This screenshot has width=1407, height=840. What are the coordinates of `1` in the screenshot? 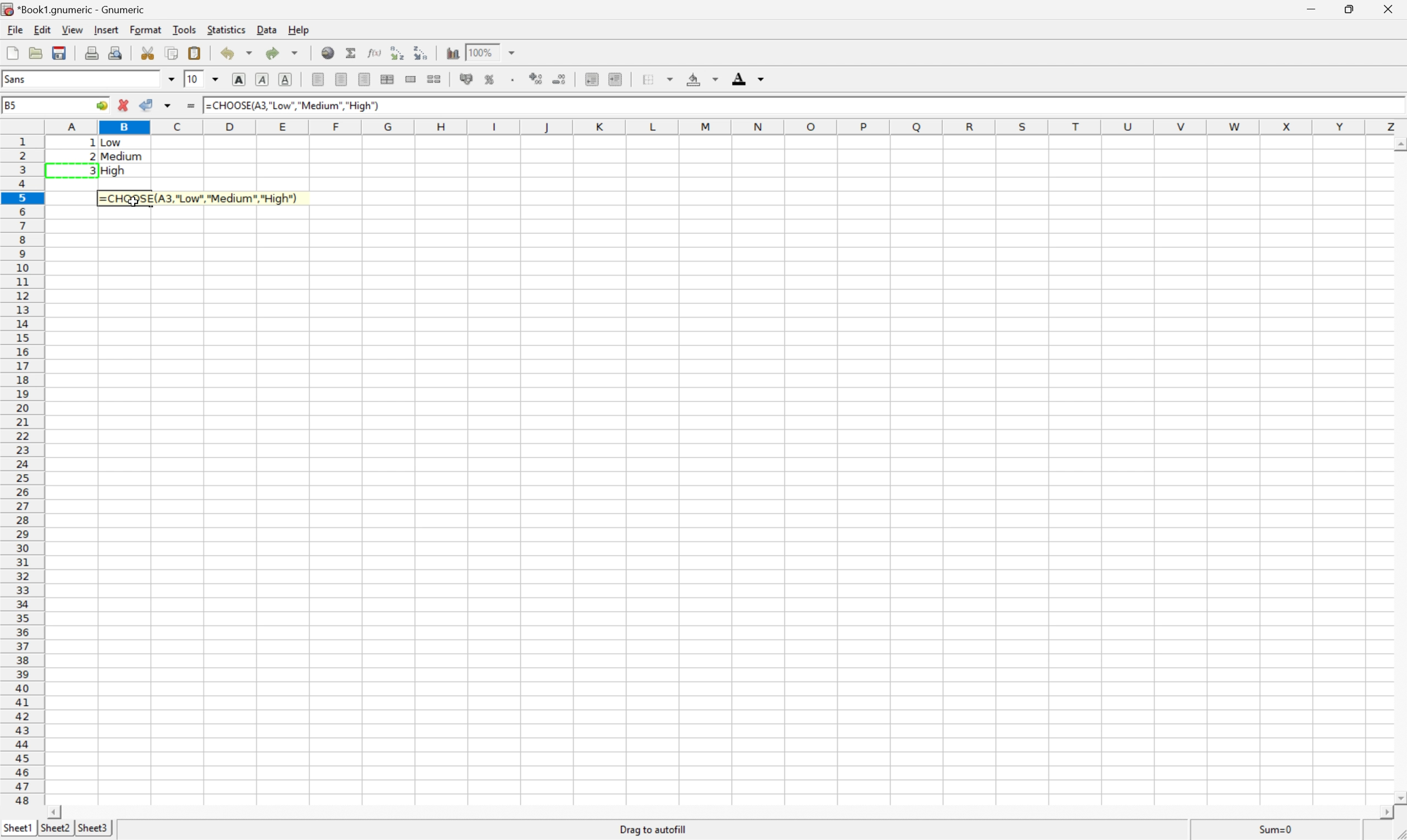 It's located at (208, 106).